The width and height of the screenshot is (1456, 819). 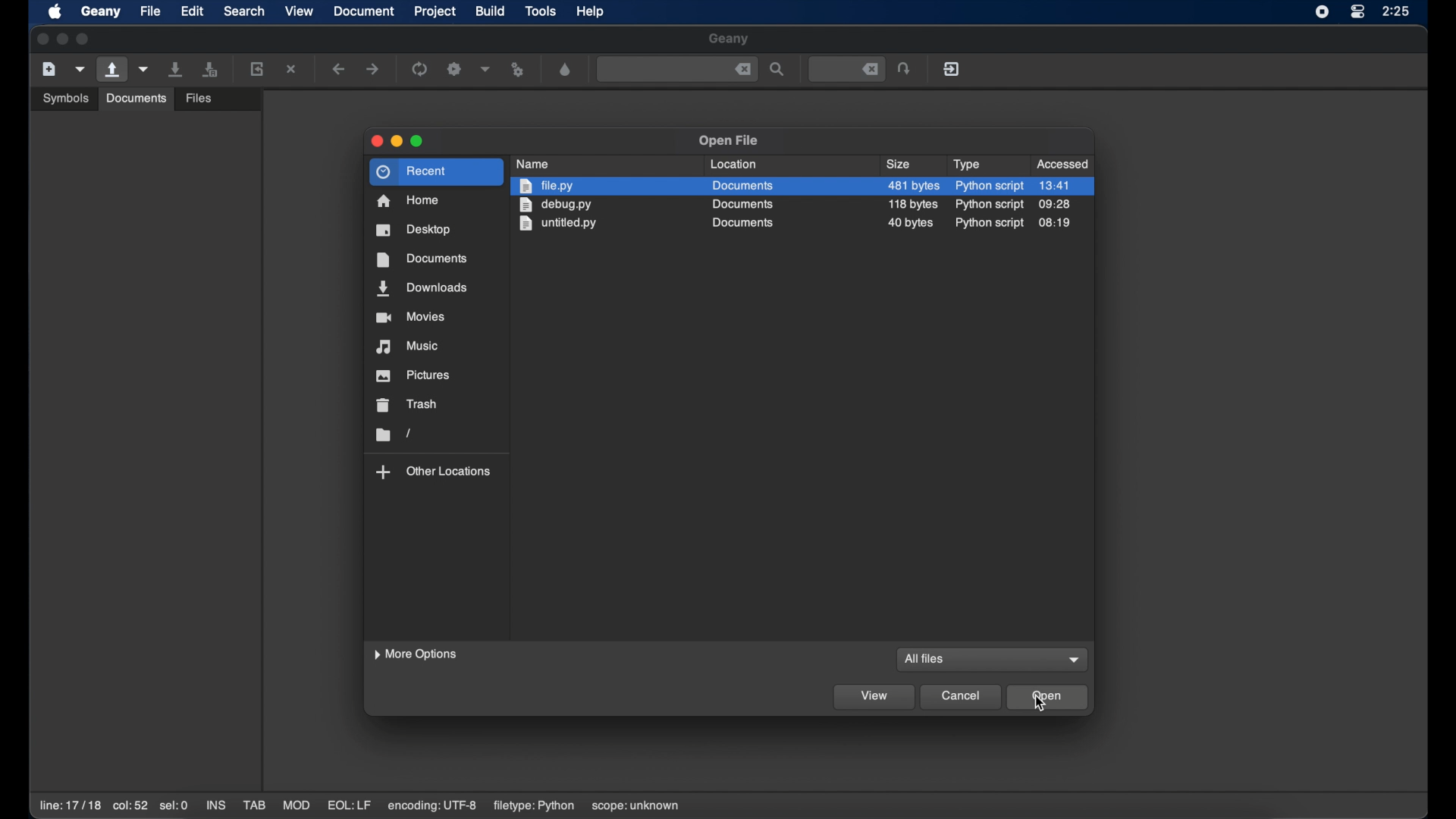 What do you see at coordinates (966, 165) in the screenshot?
I see `type` at bounding box center [966, 165].